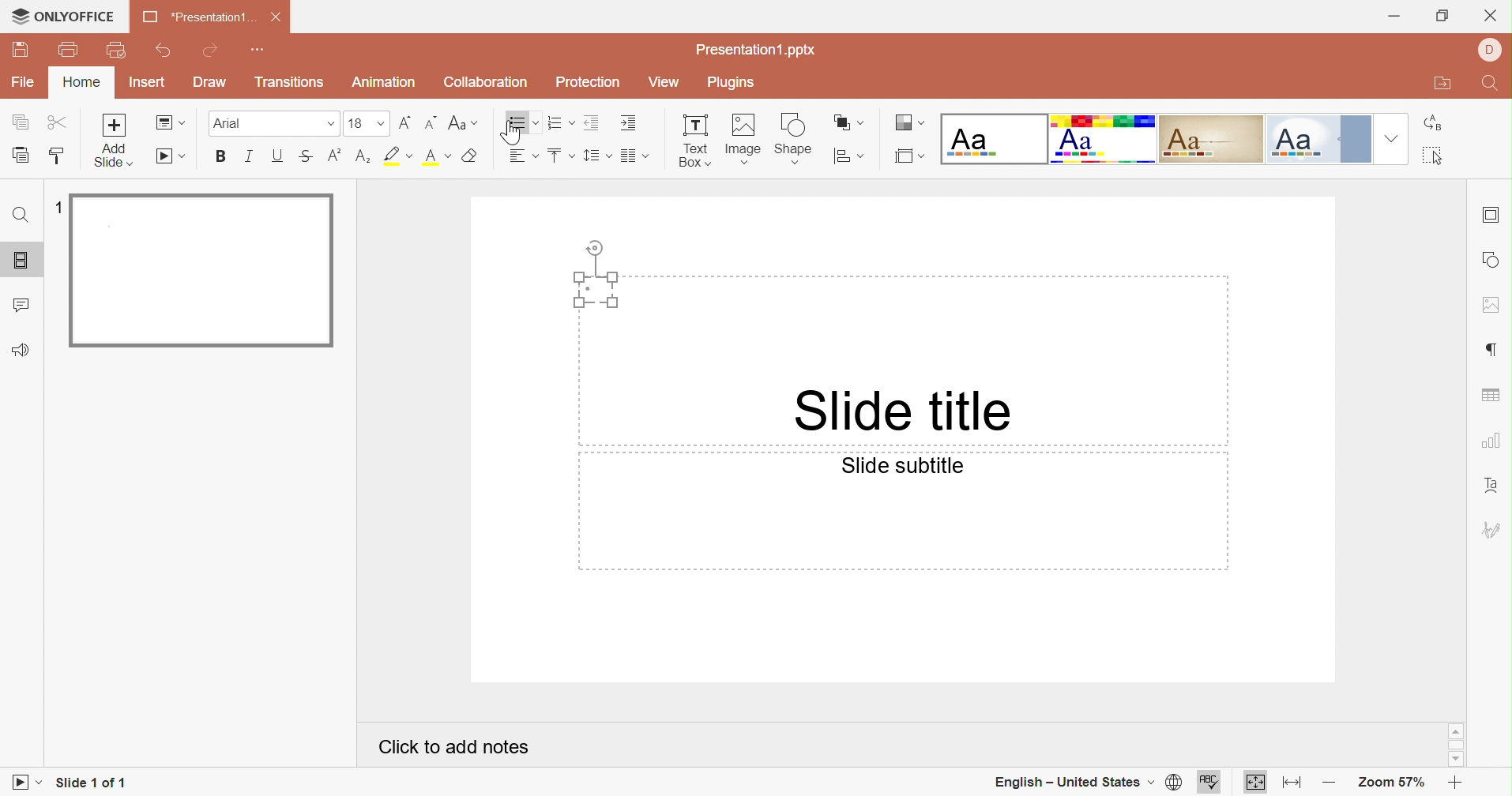  Describe the element at coordinates (1460, 760) in the screenshot. I see `Scroll Down` at that location.